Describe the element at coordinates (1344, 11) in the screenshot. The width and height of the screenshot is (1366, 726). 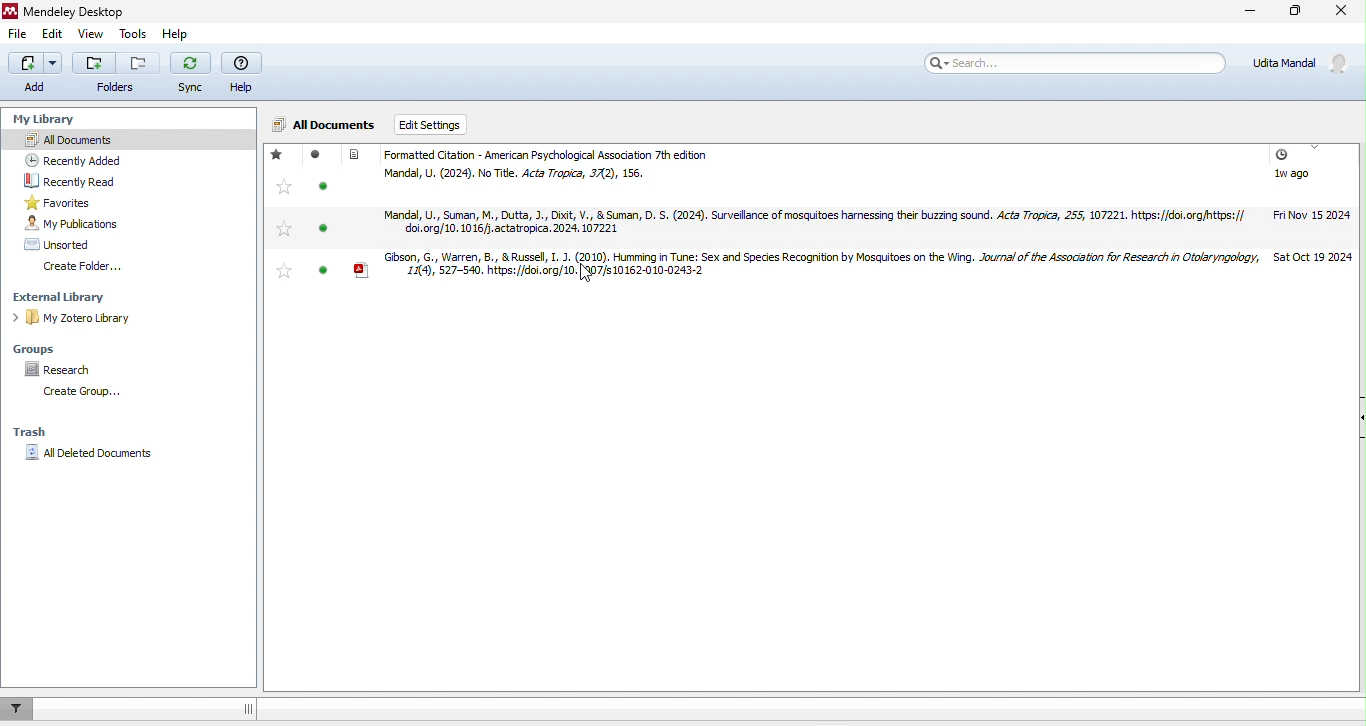
I see `close` at that location.